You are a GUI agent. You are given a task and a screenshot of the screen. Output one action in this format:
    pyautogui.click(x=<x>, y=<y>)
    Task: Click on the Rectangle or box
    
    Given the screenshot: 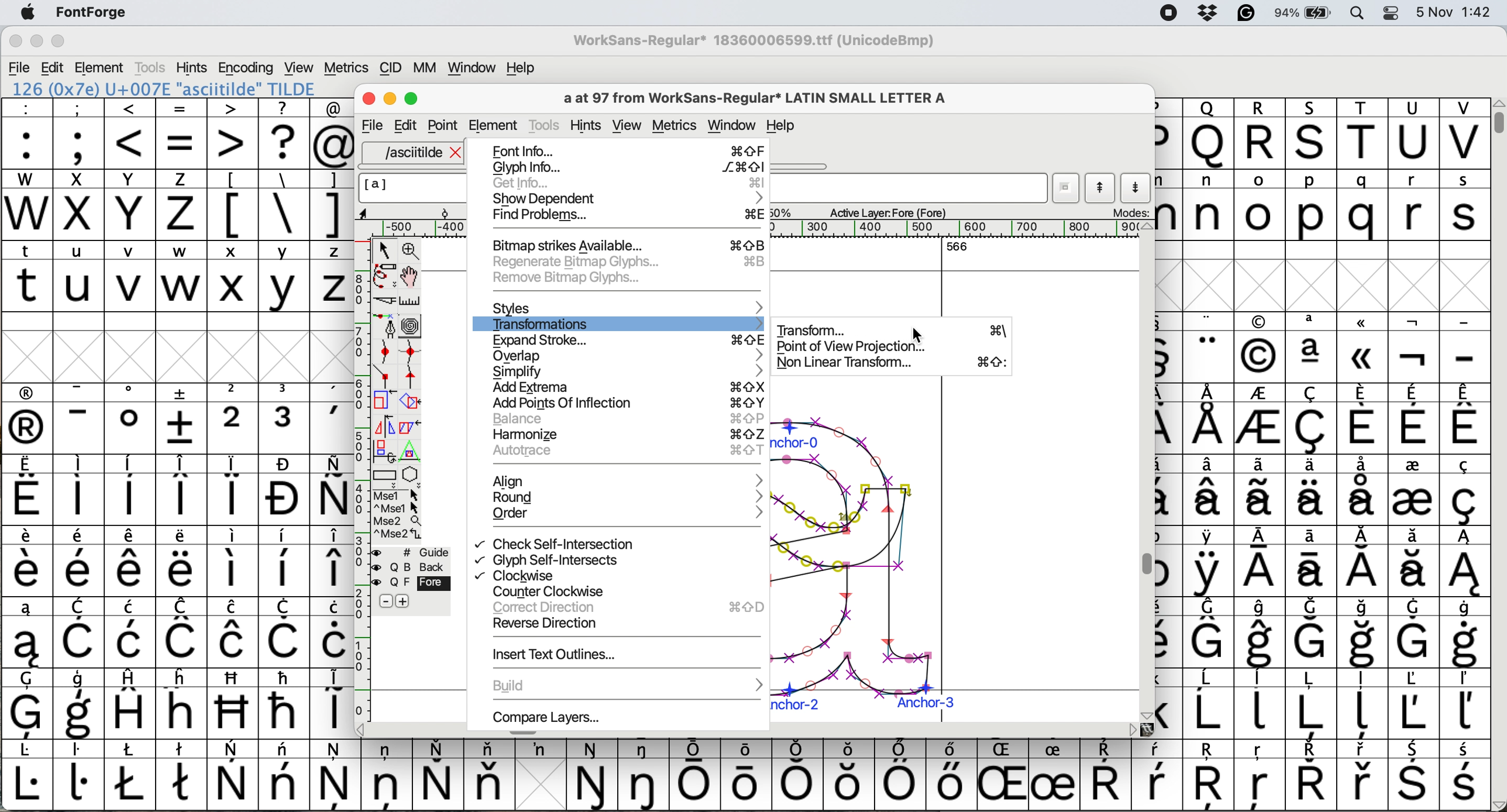 What is the action you would take?
    pyautogui.click(x=384, y=475)
    